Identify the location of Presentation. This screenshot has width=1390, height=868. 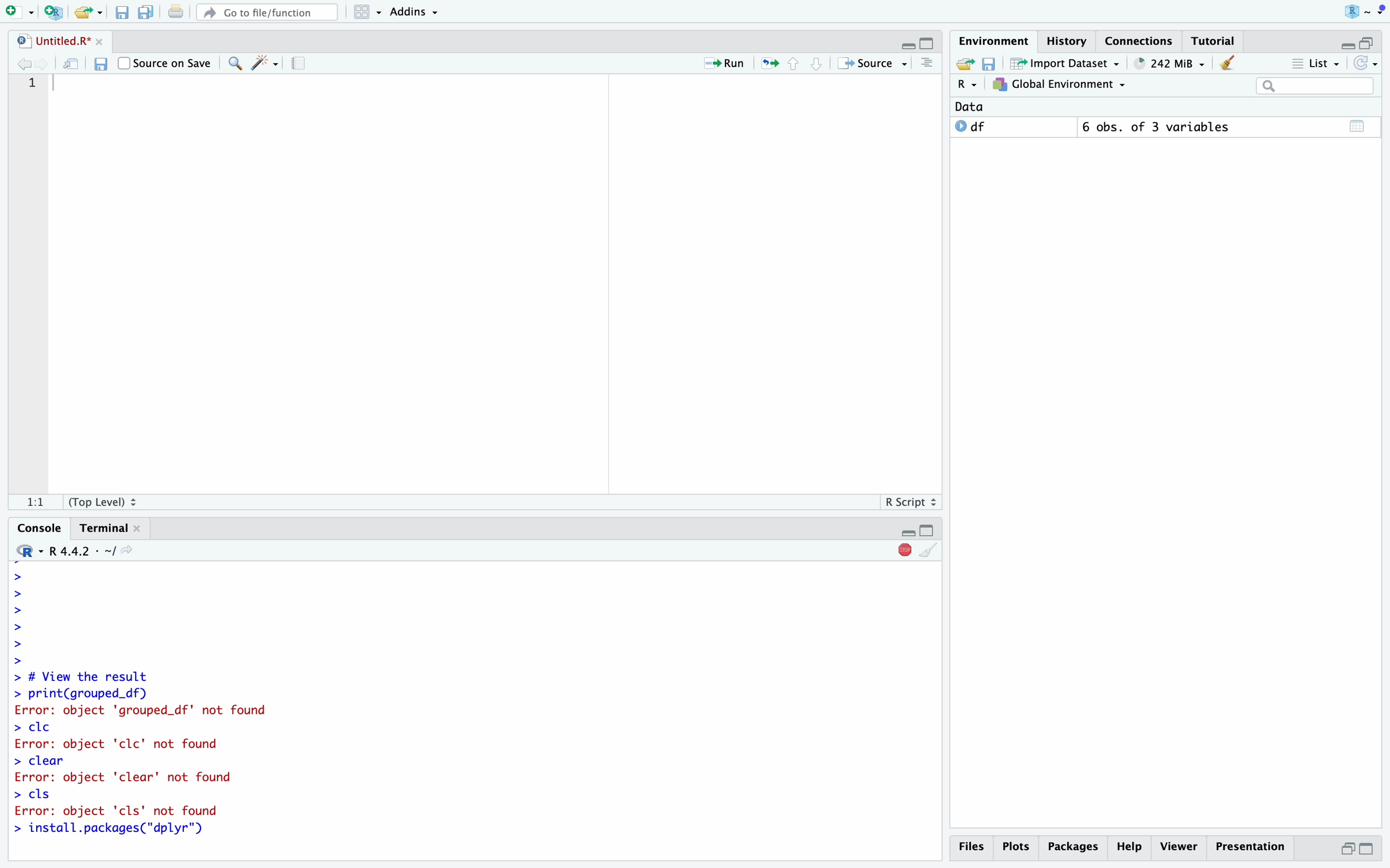
(1250, 847).